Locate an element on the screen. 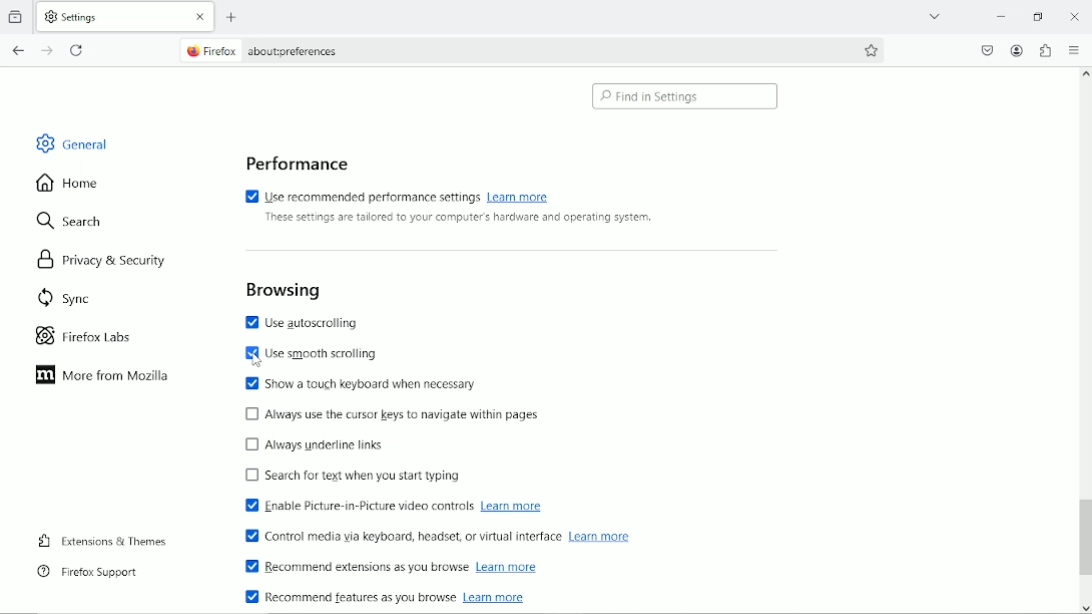  scroll up is located at coordinates (1084, 75).